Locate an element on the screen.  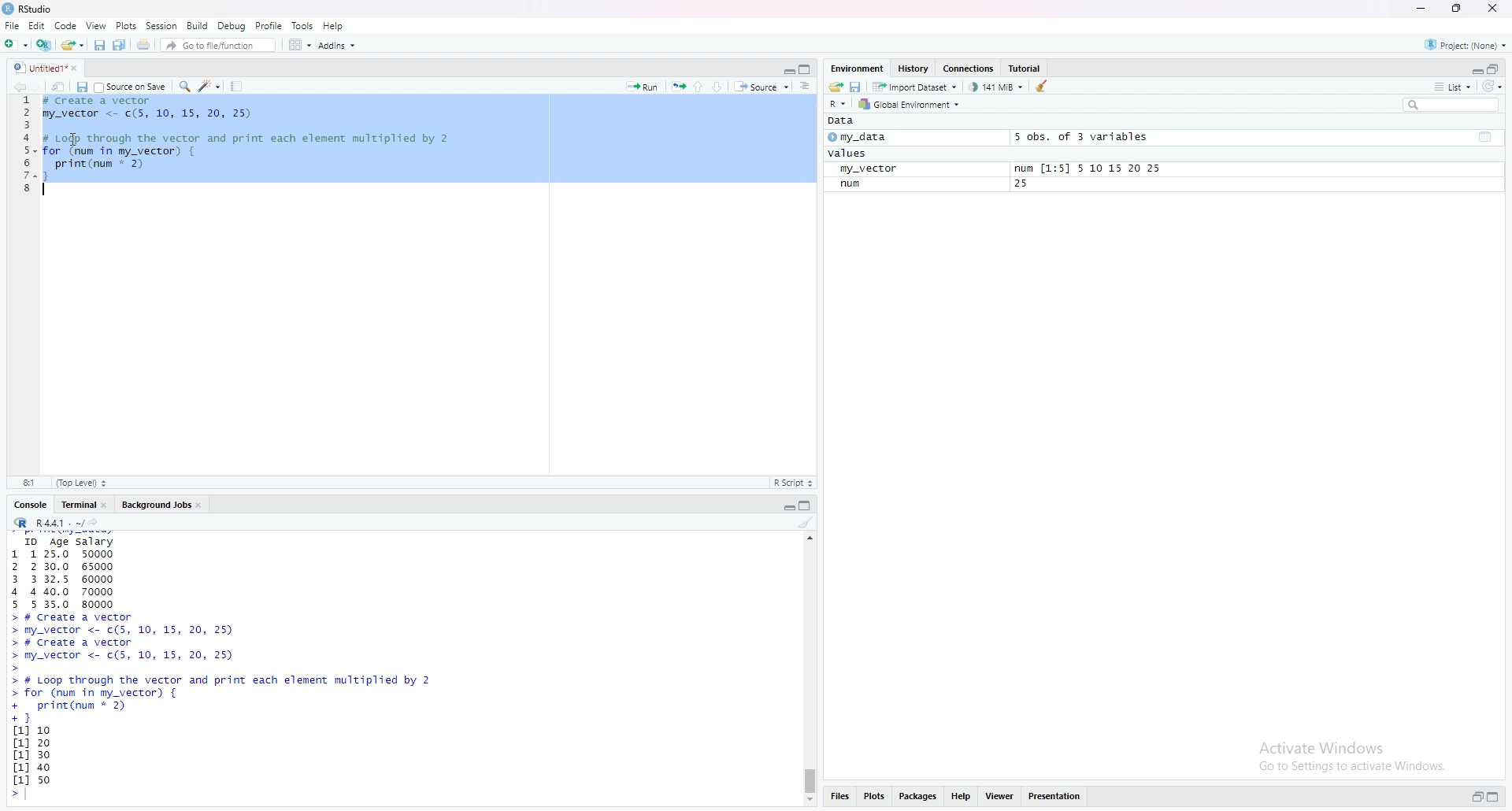
my_vector is located at coordinates (869, 170).